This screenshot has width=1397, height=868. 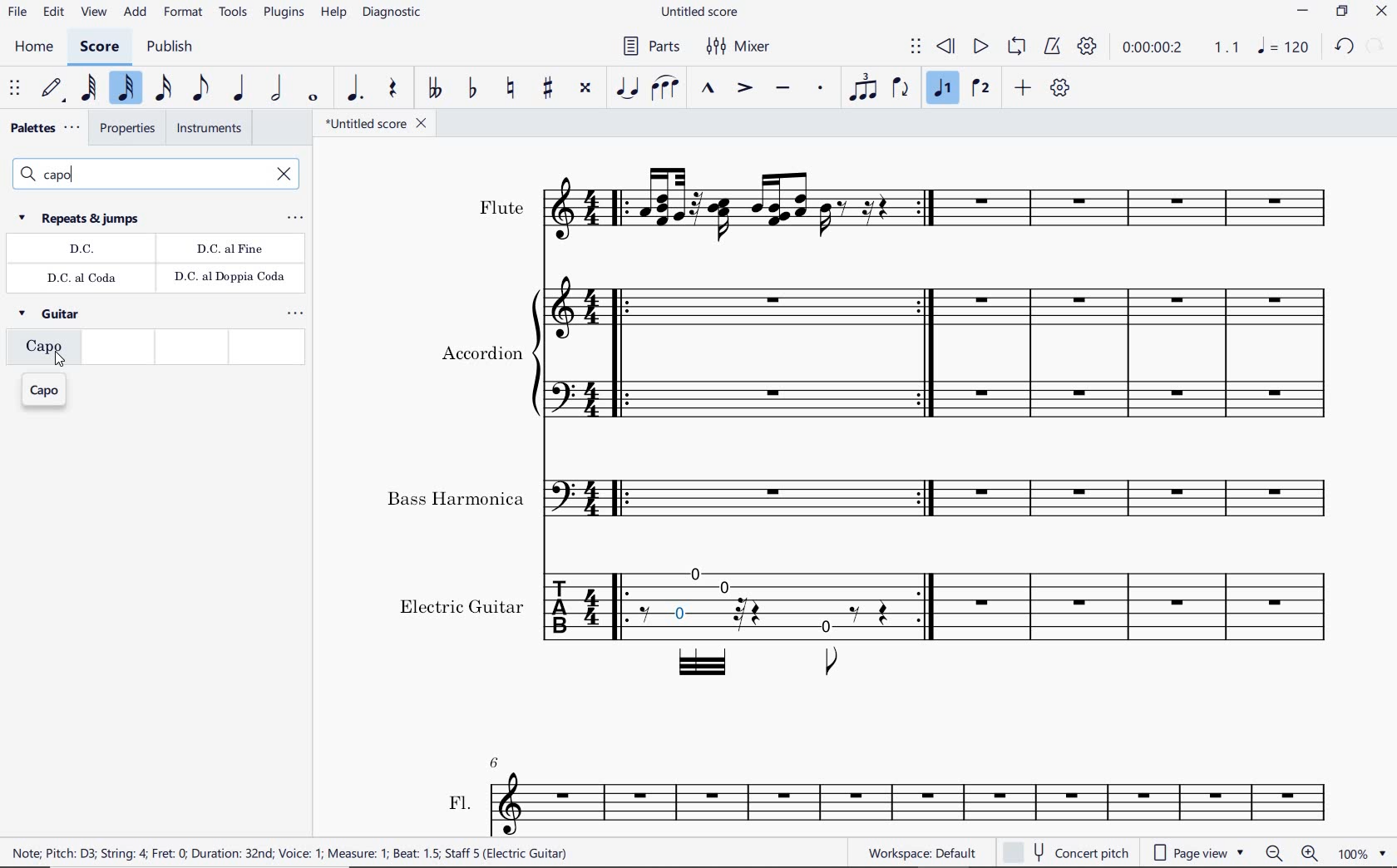 What do you see at coordinates (313, 96) in the screenshot?
I see `whole note` at bounding box center [313, 96].